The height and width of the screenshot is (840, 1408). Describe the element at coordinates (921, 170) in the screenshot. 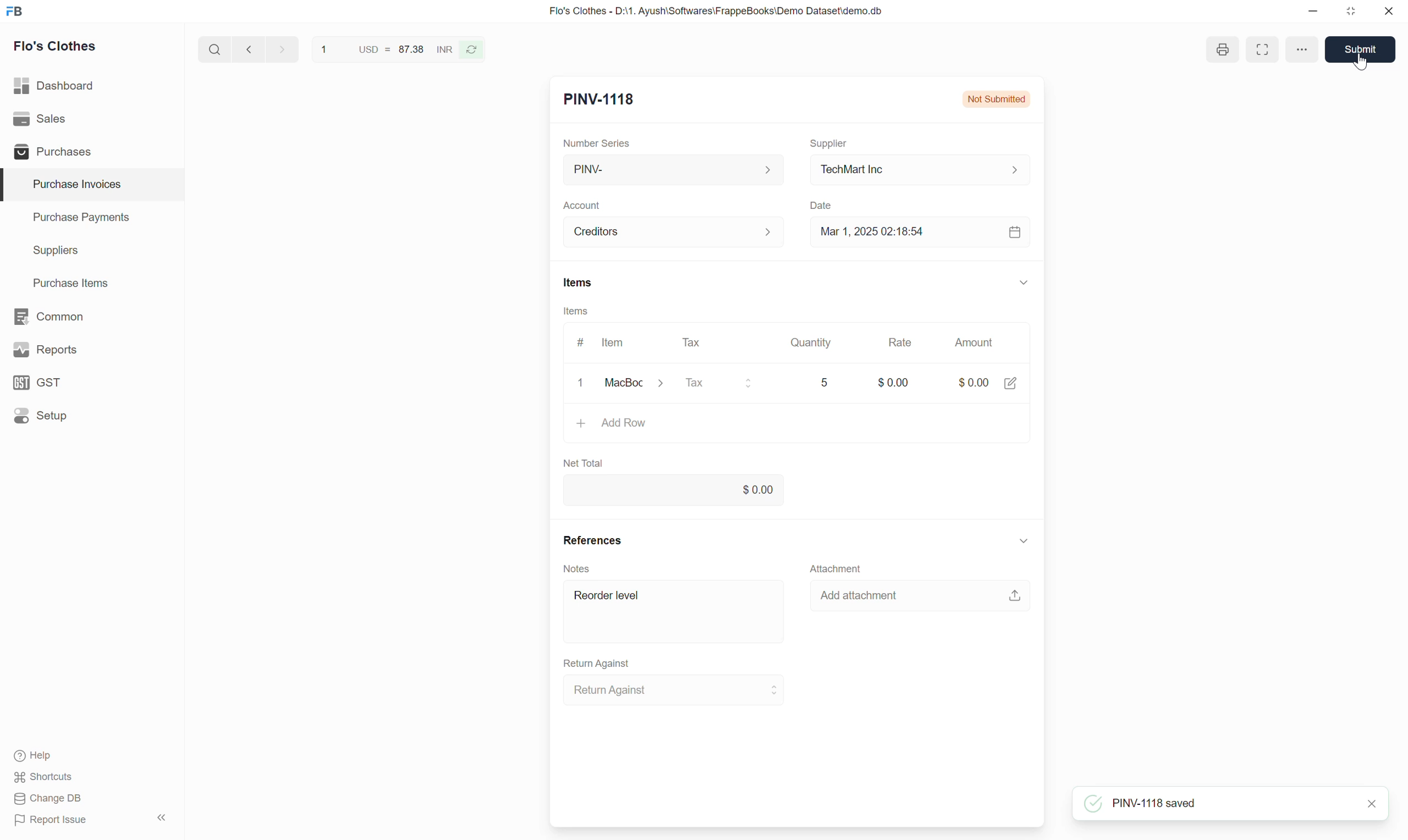

I see `TechMart Inc` at that location.